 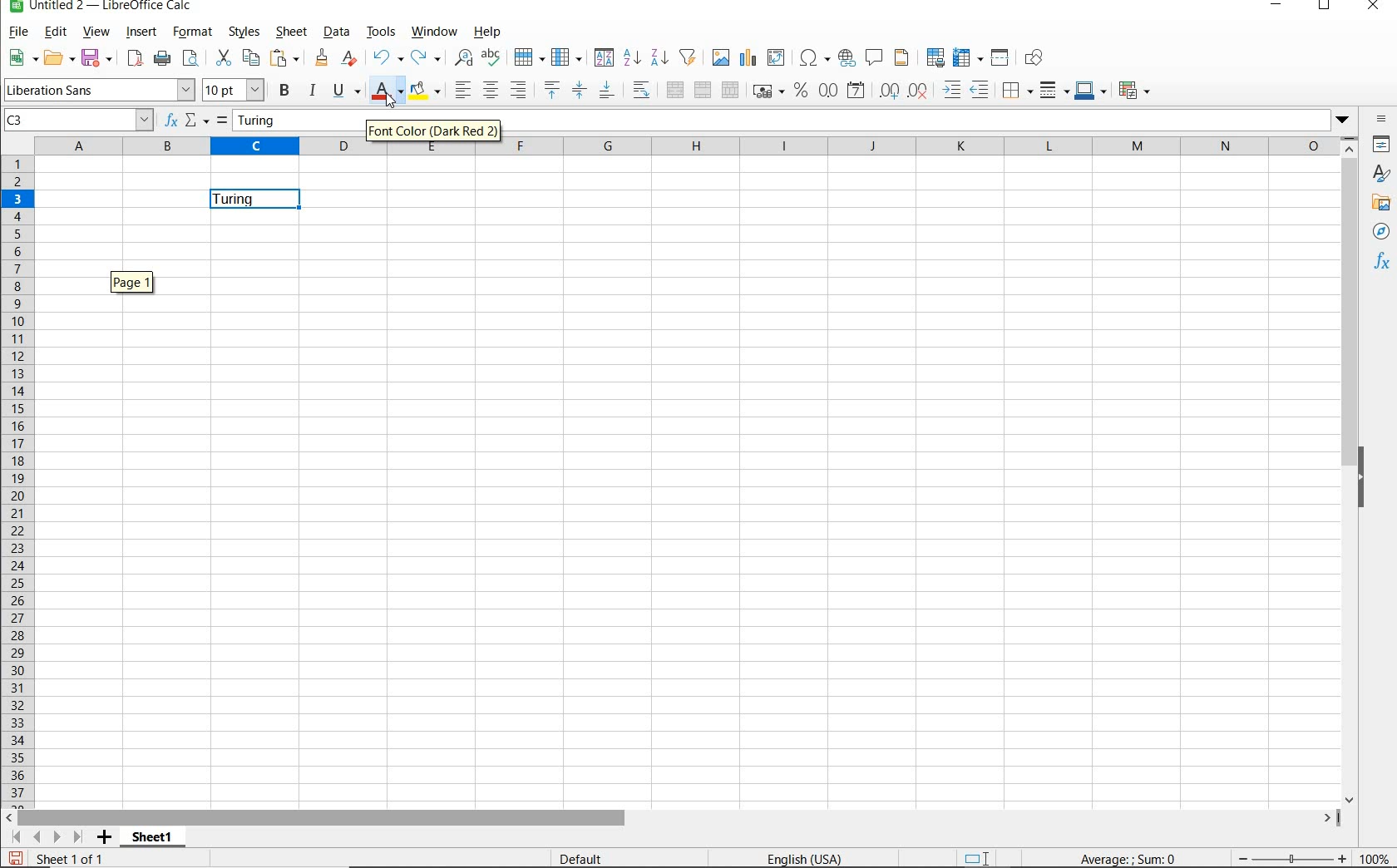 What do you see at coordinates (1365, 480) in the screenshot?
I see `HIDE` at bounding box center [1365, 480].